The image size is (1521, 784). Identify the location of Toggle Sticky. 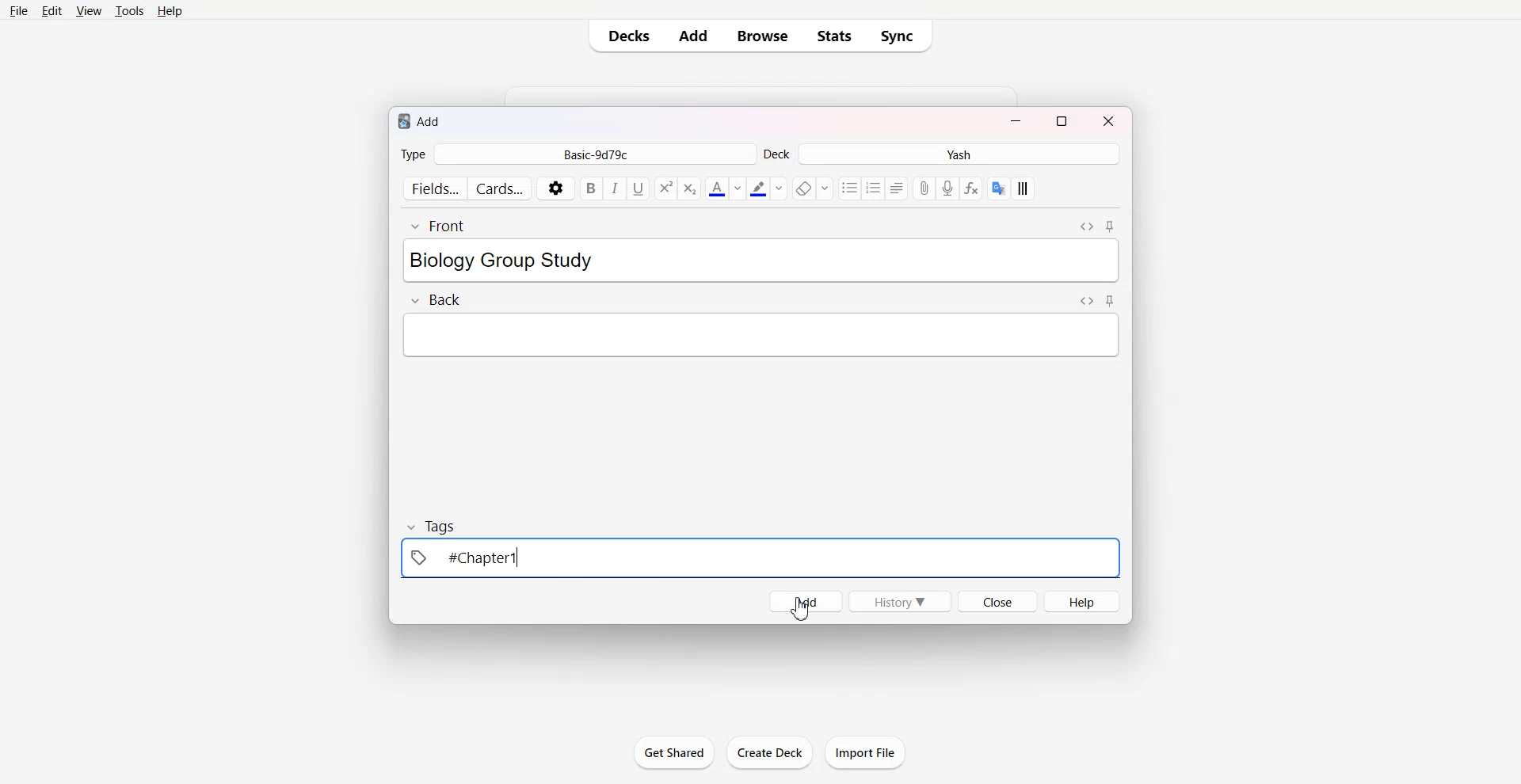
(1110, 300).